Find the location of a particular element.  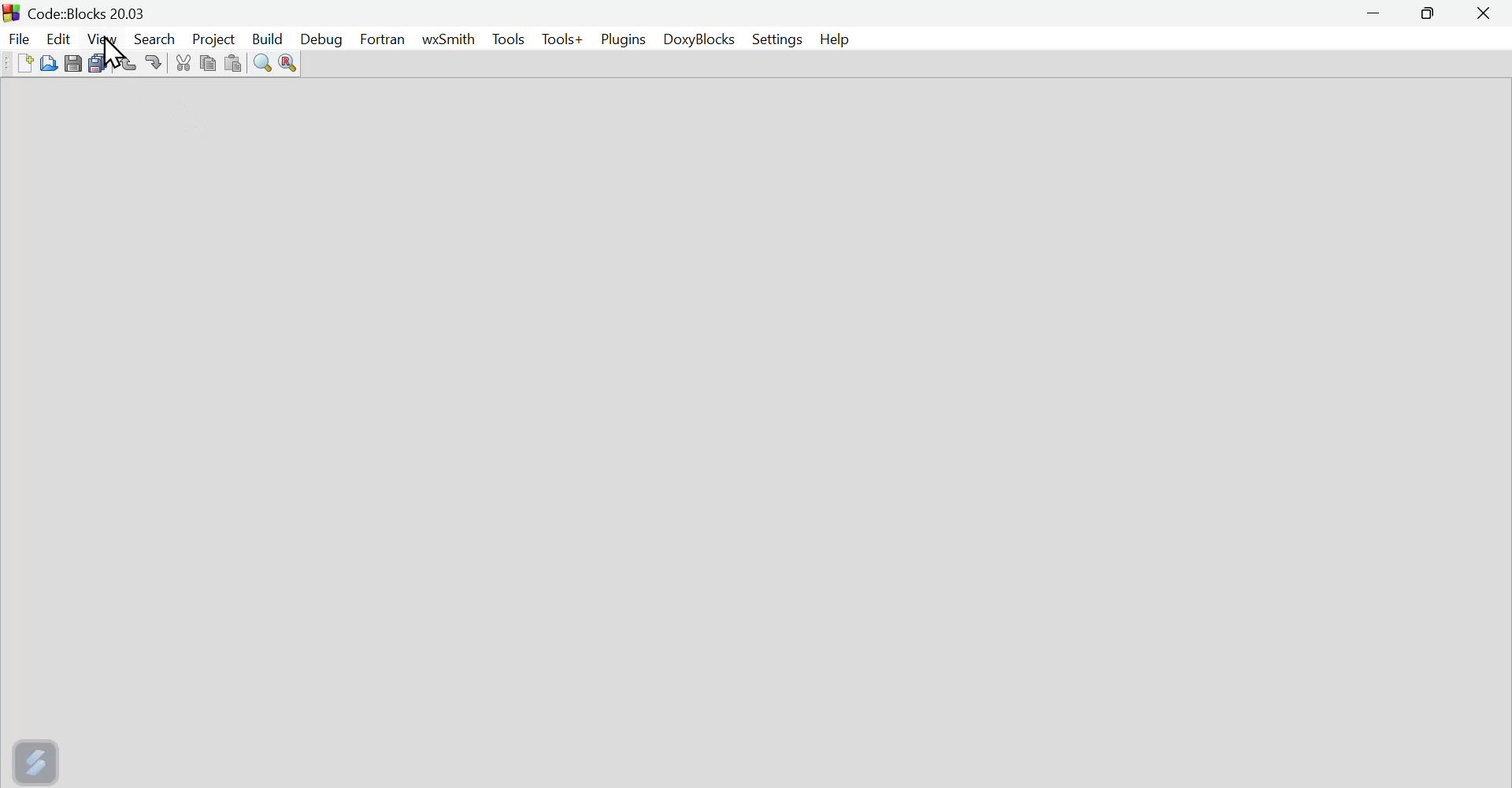

cursor is located at coordinates (114, 49).